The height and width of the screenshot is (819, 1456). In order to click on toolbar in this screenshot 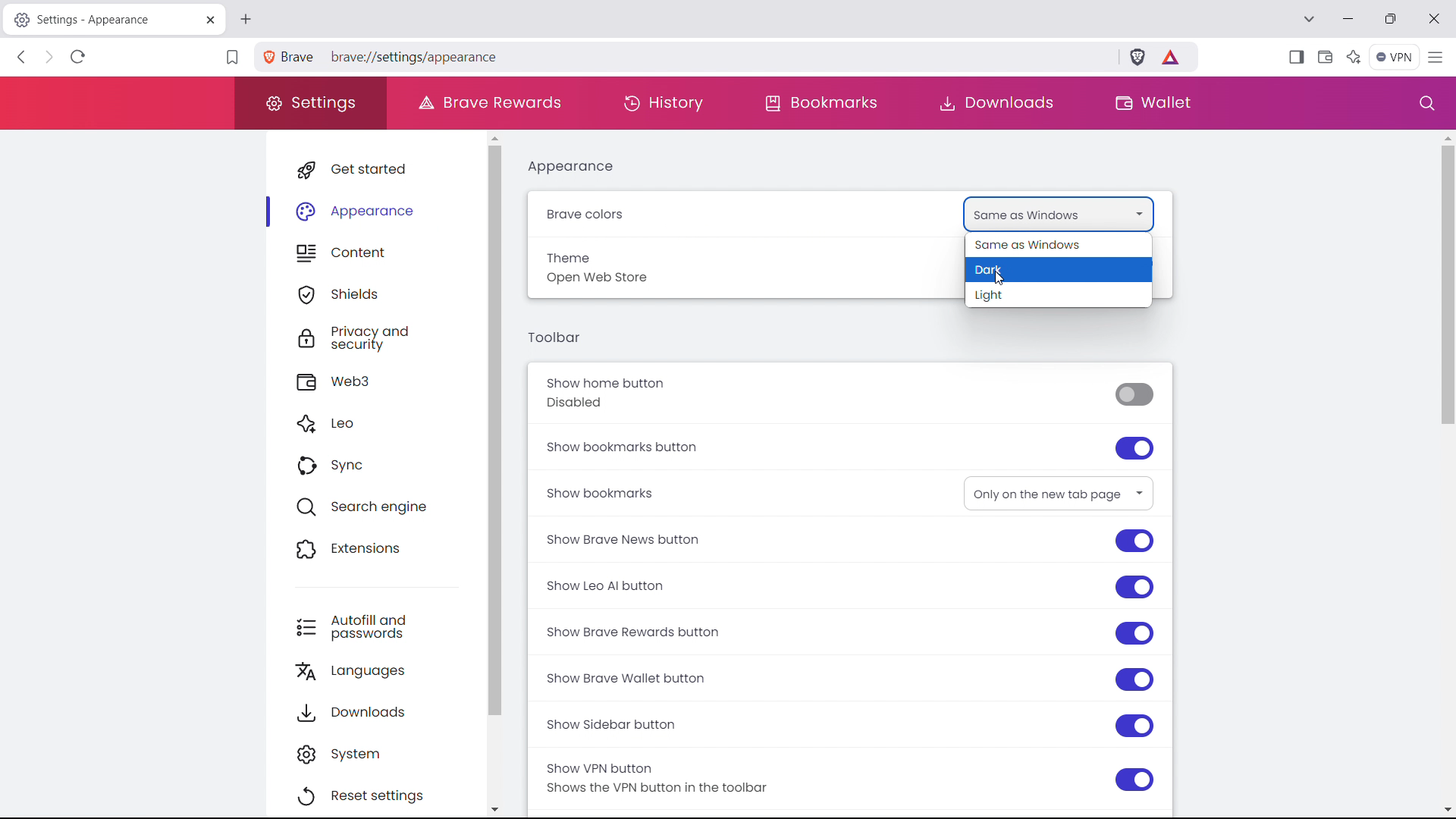, I will do `click(554, 337)`.